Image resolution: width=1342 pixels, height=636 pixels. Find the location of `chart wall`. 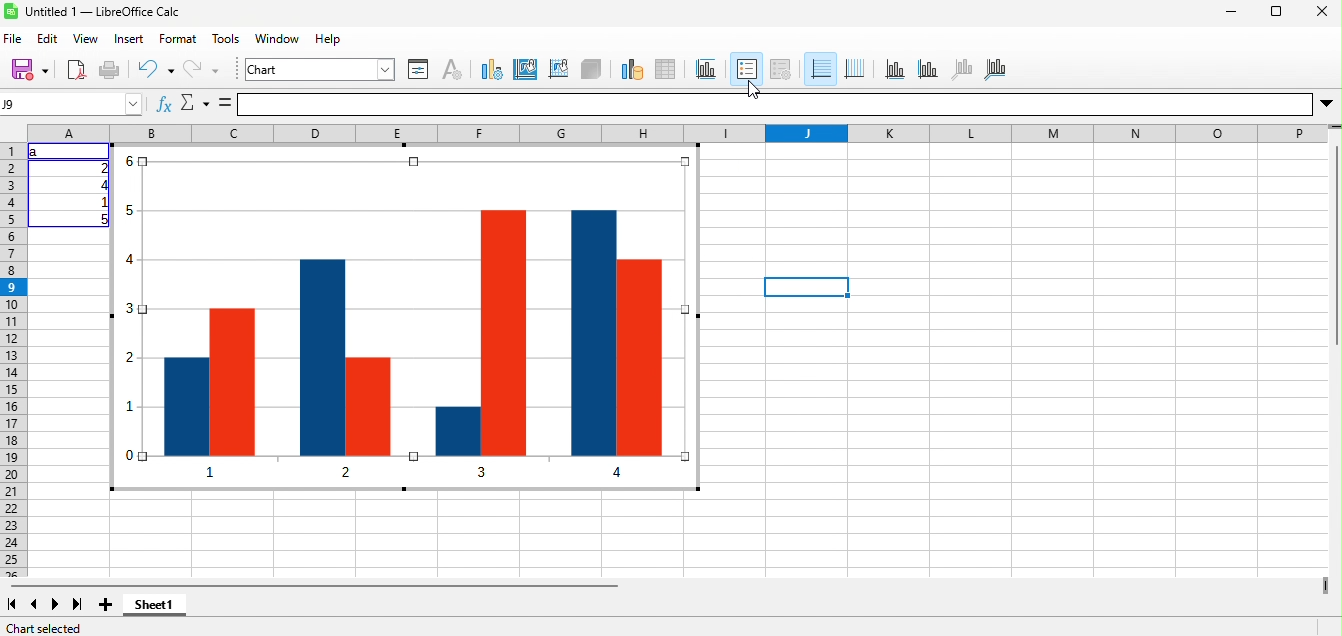

chart wall is located at coordinates (559, 70).